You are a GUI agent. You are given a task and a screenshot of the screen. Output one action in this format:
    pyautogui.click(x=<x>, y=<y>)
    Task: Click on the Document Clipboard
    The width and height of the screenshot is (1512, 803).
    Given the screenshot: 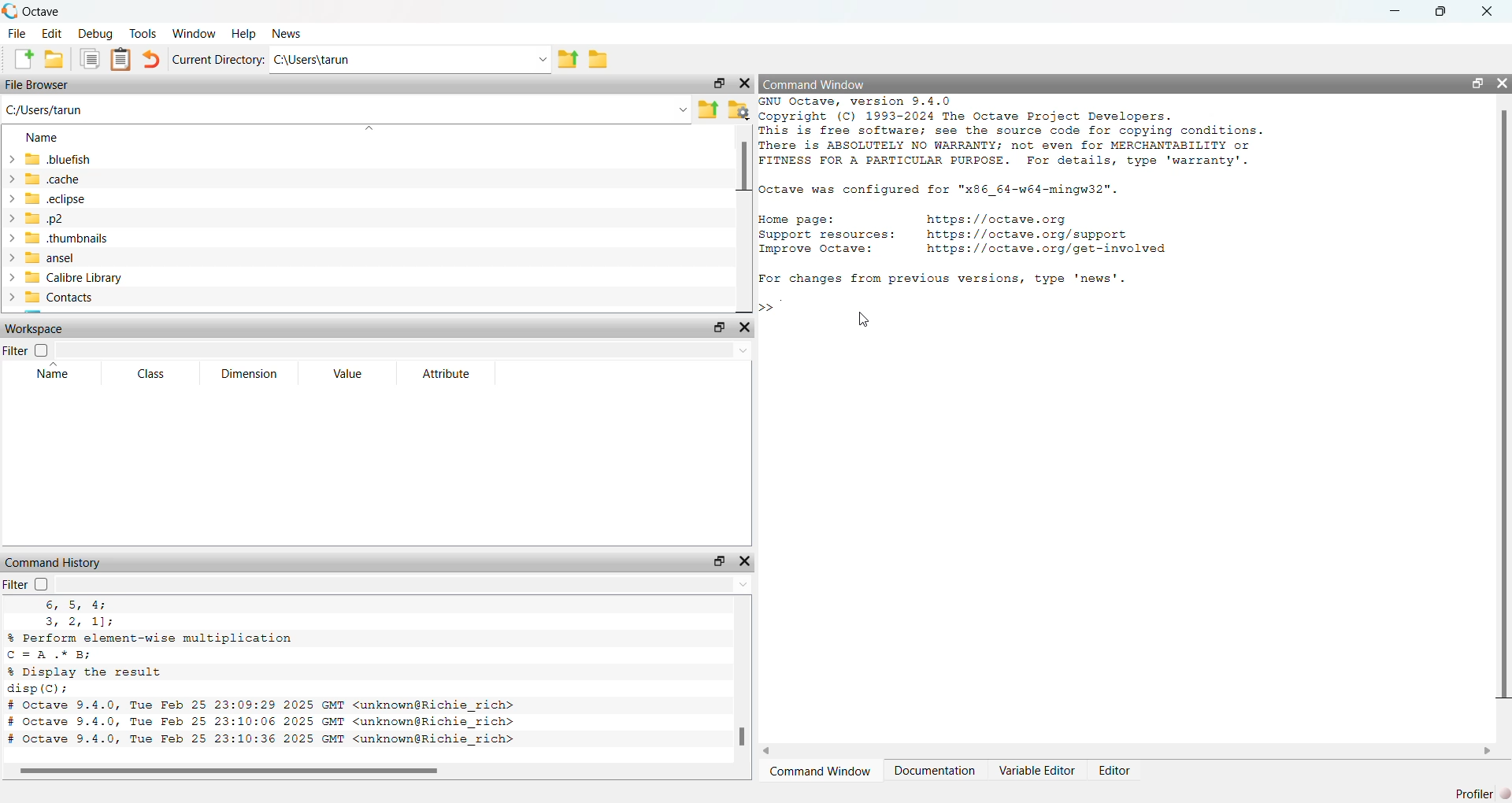 What is the action you would take?
    pyautogui.click(x=122, y=59)
    